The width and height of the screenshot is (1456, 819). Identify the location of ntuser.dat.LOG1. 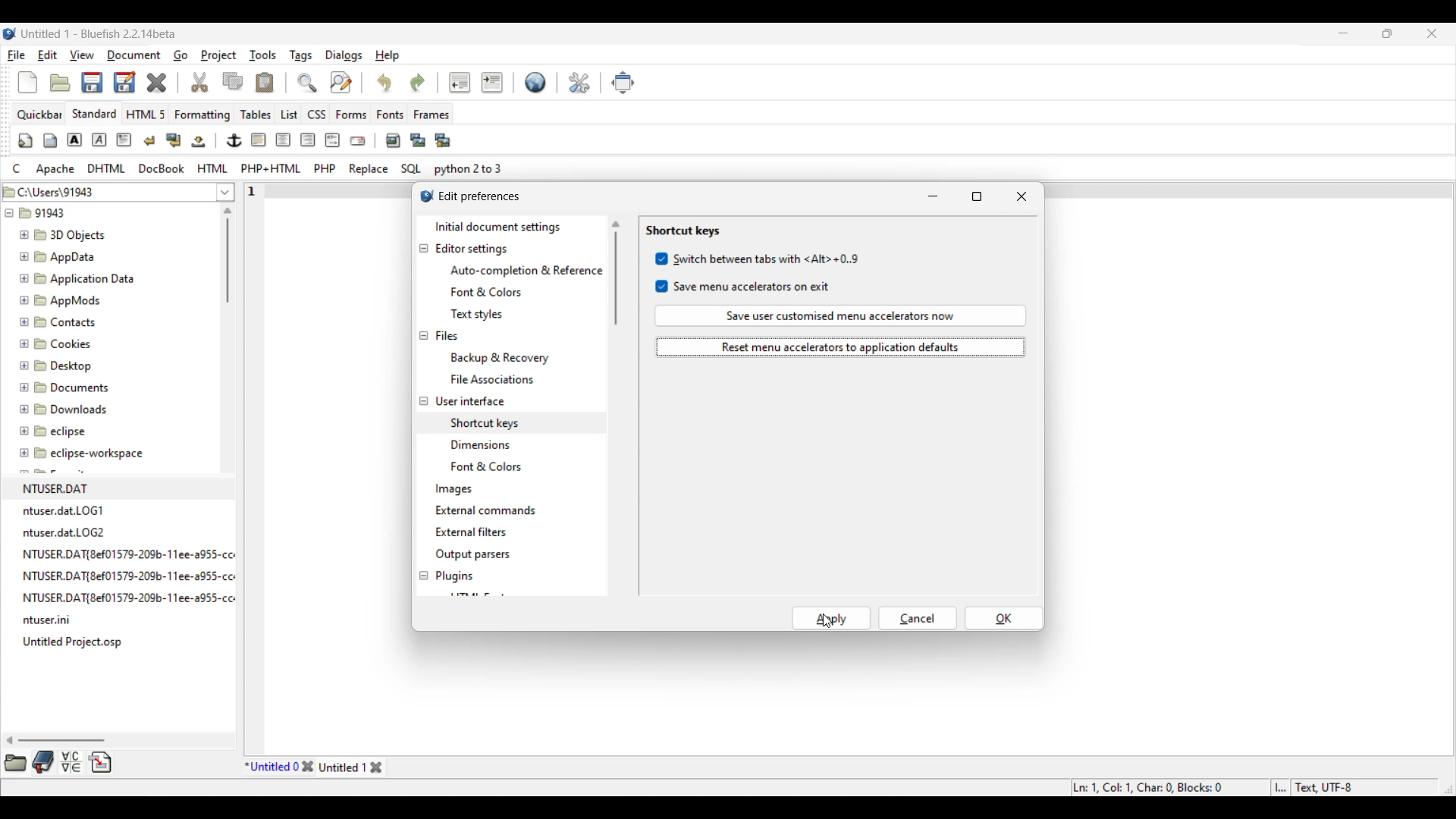
(65, 510).